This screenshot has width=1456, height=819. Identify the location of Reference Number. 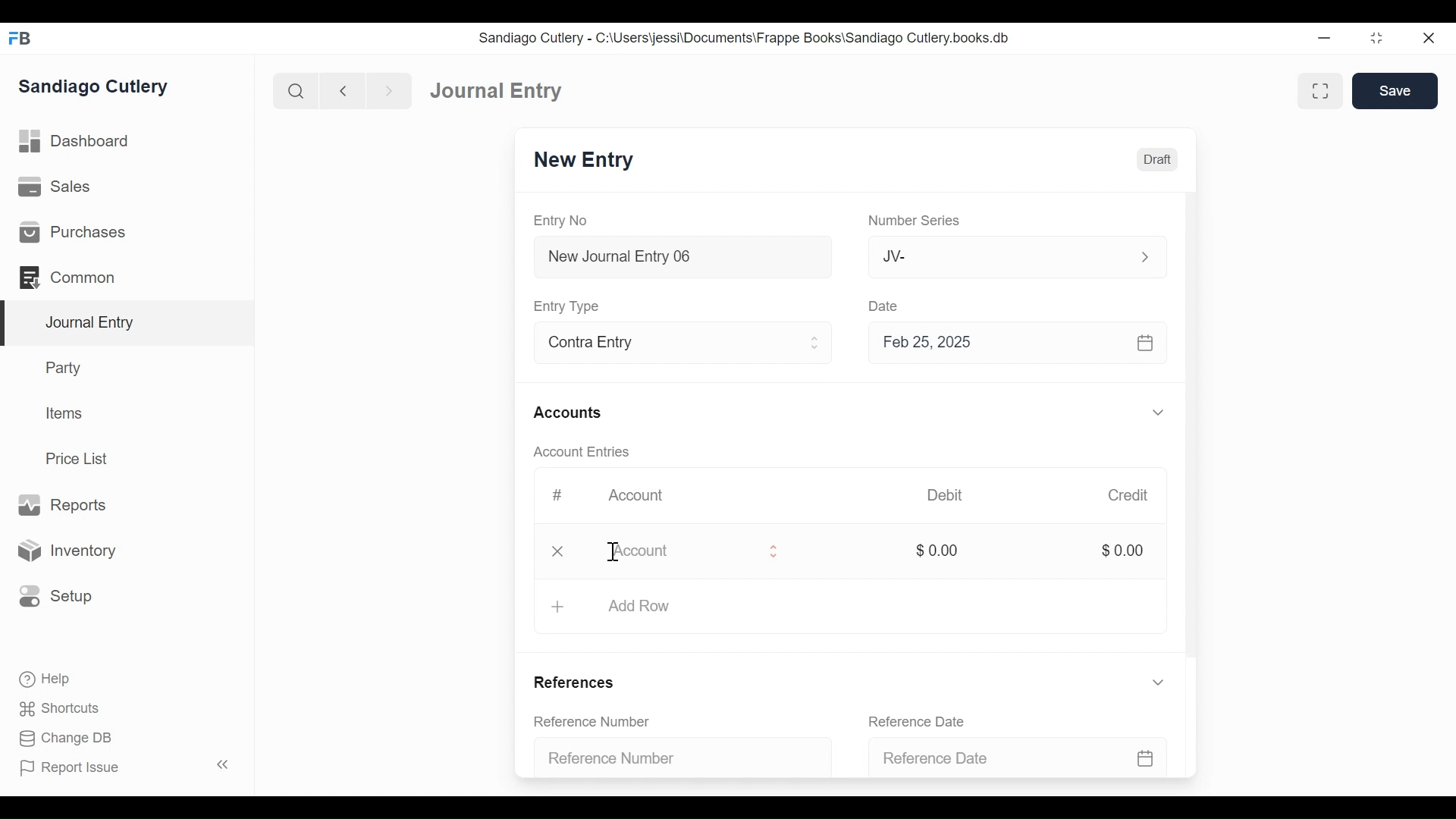
(676, 755).